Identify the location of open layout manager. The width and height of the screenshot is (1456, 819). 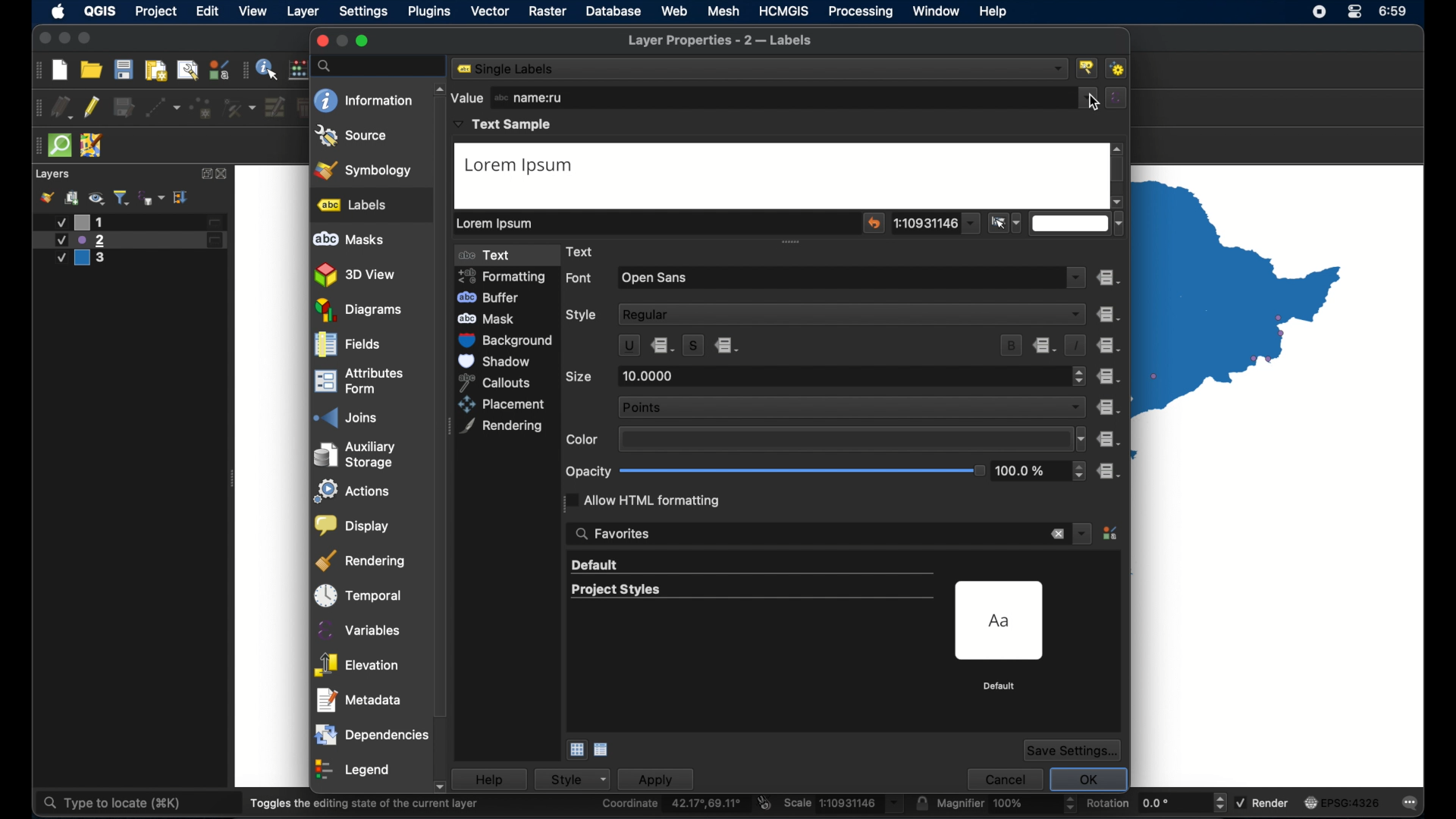
(187, 71).